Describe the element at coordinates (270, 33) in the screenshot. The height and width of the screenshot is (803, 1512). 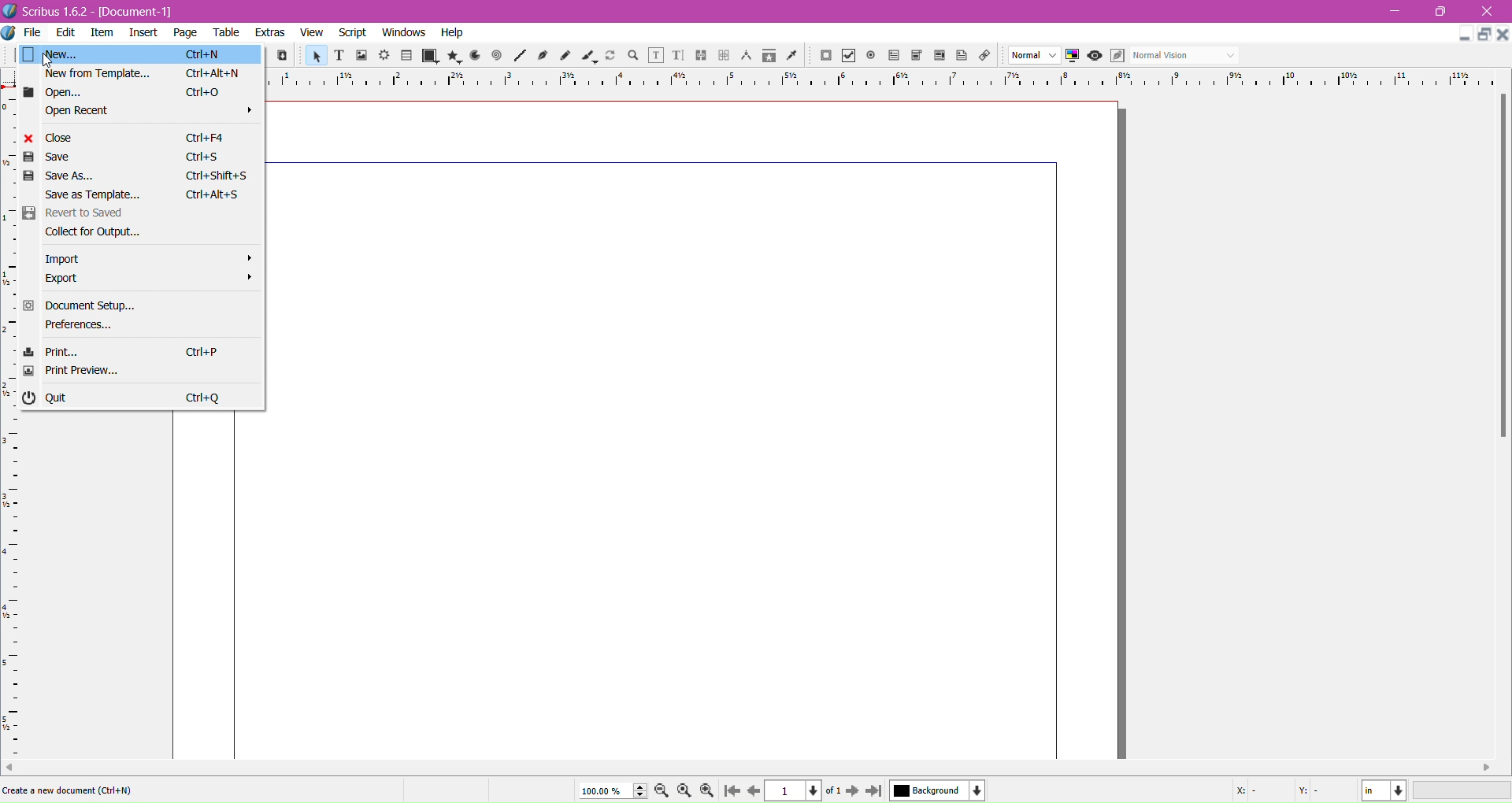
I see `Extras` at that location.